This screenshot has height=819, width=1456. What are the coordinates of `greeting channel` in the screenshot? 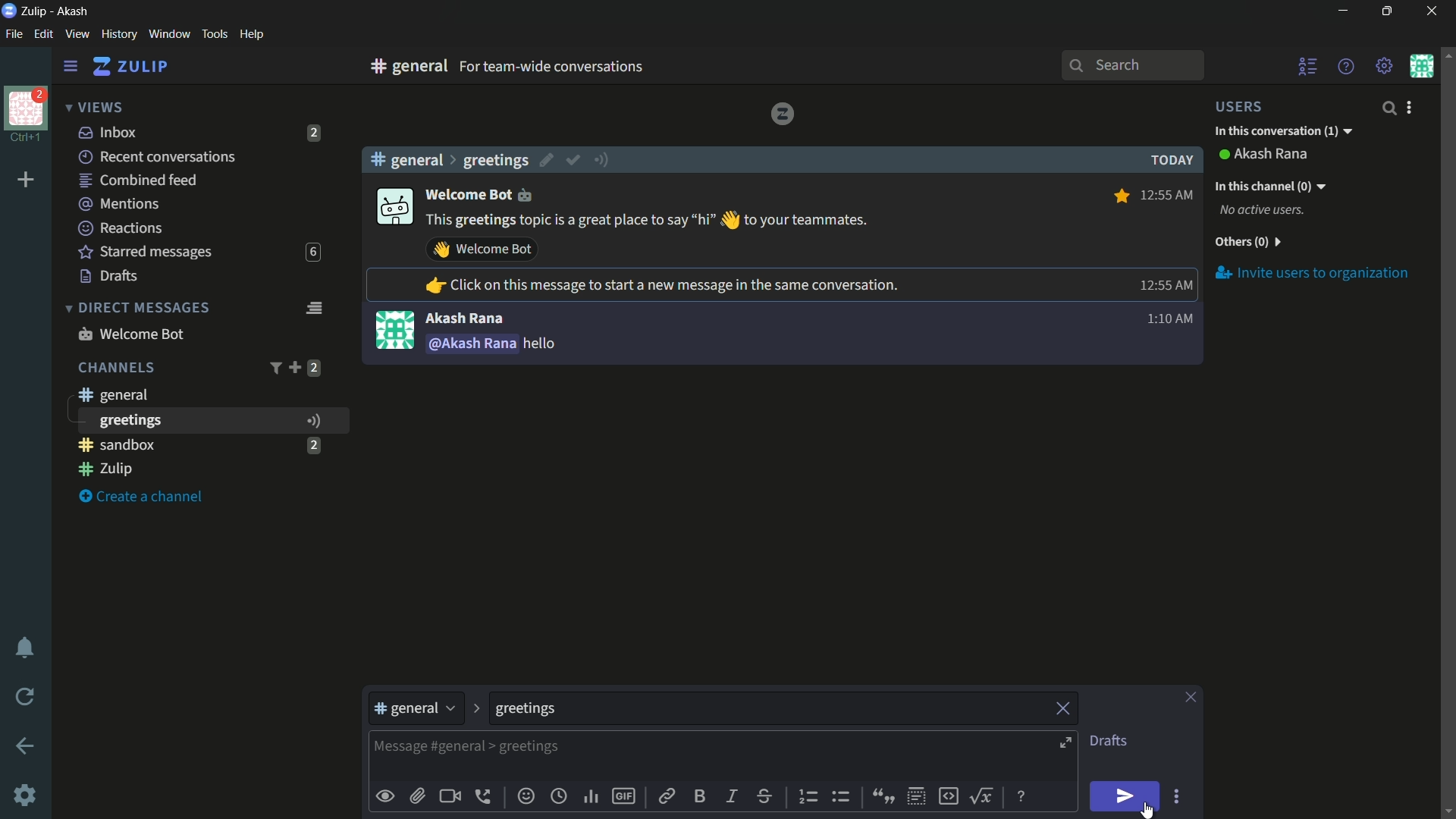 It's located at (212, 420).